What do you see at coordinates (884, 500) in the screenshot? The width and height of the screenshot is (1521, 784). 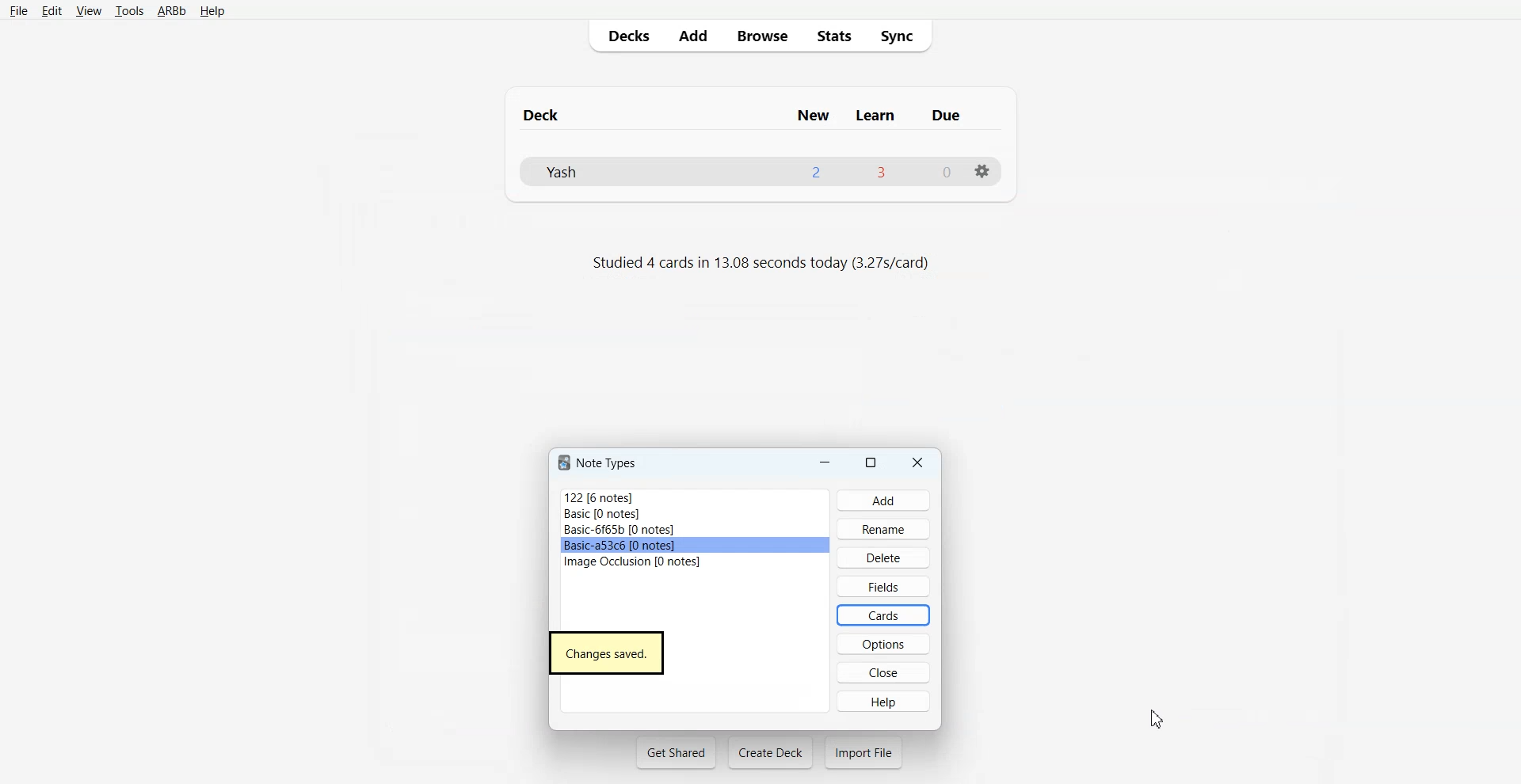 I see `Add` at bounding box center [884, 500].